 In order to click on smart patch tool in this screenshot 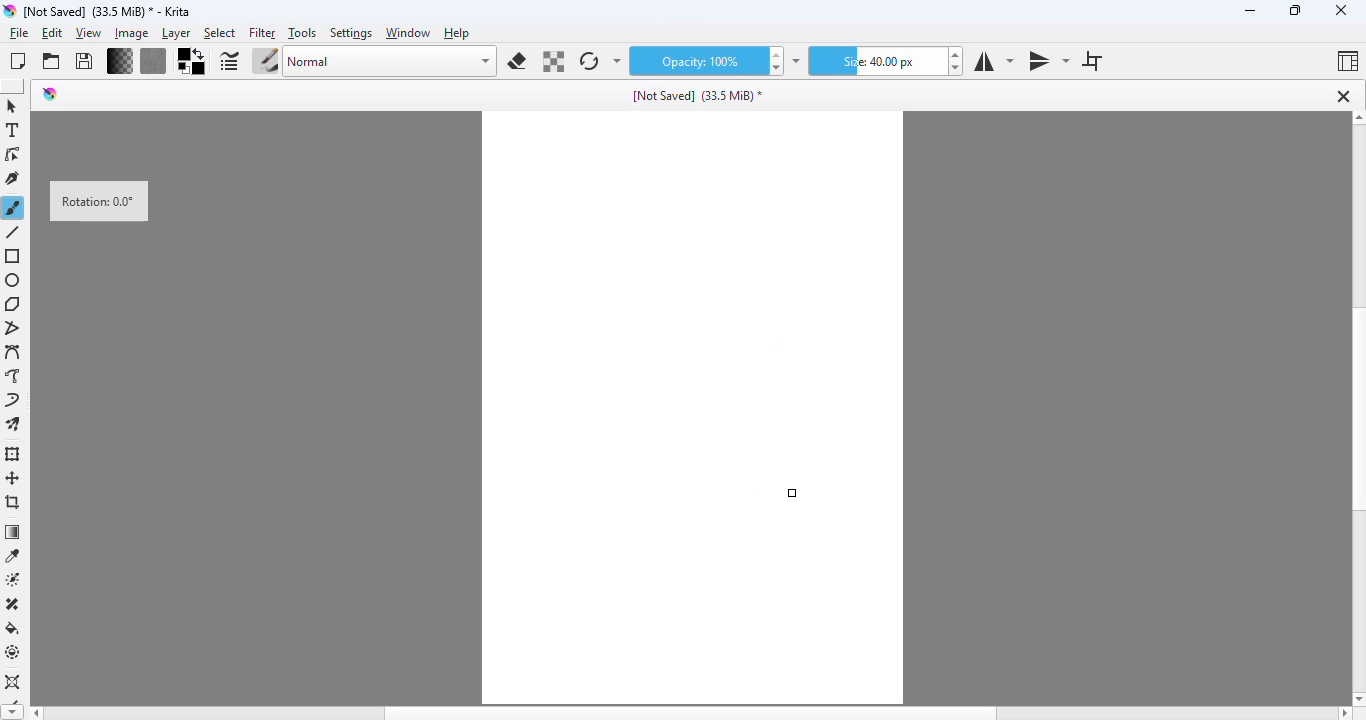, I will do `click(14, 605)`.